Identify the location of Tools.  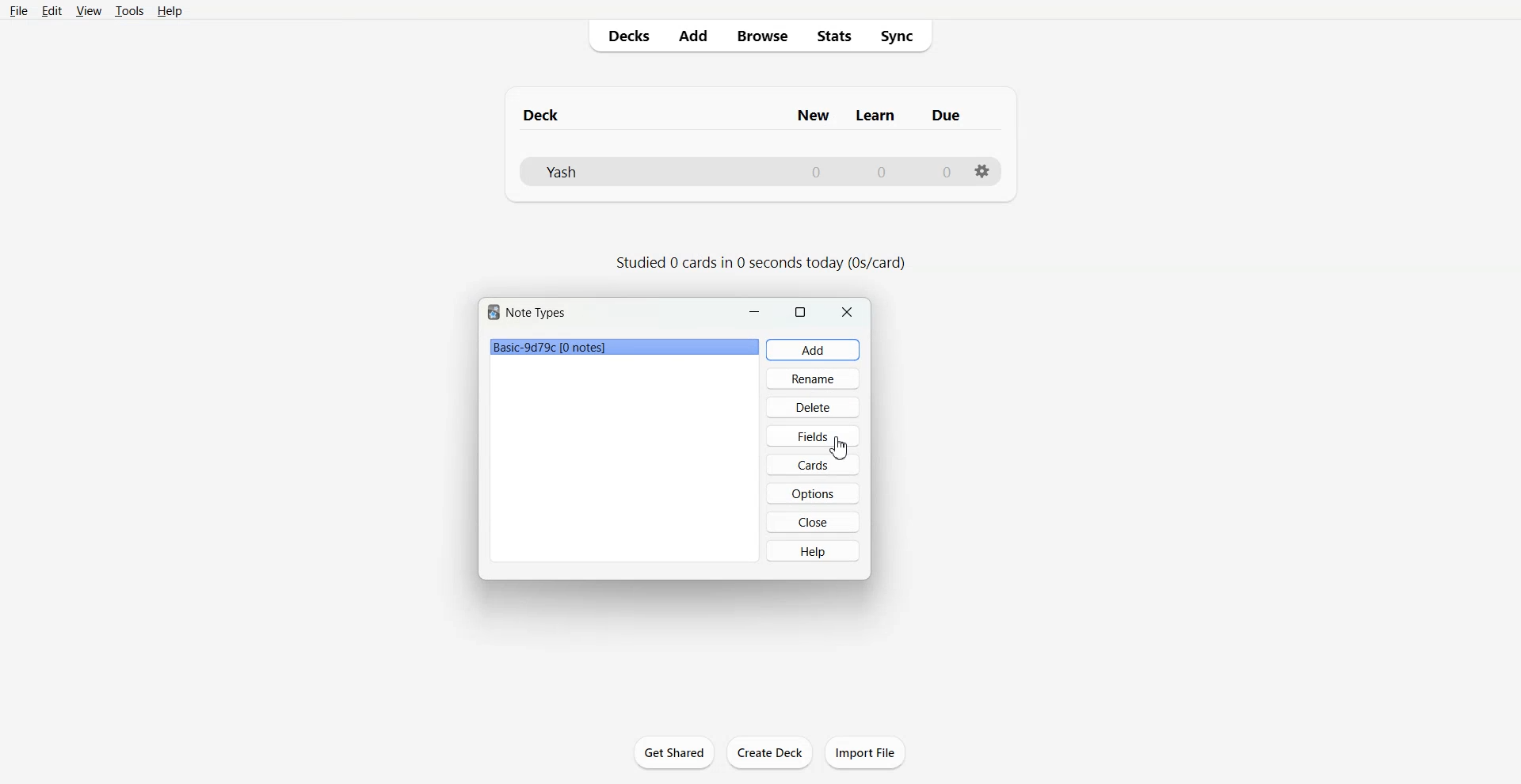
(129, 10).